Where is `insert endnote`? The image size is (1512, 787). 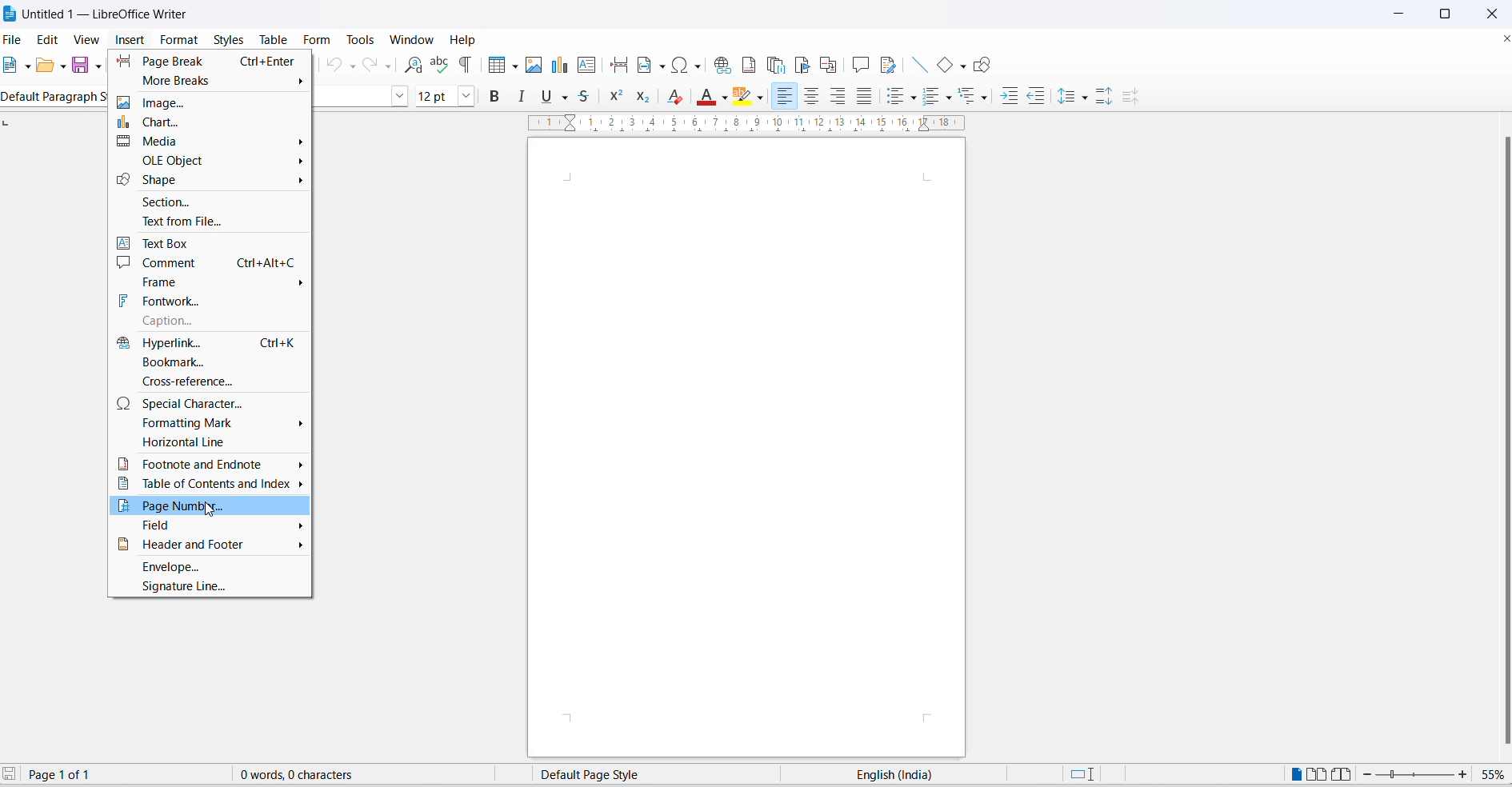
insert endnote is located at coordinates (776, 66).